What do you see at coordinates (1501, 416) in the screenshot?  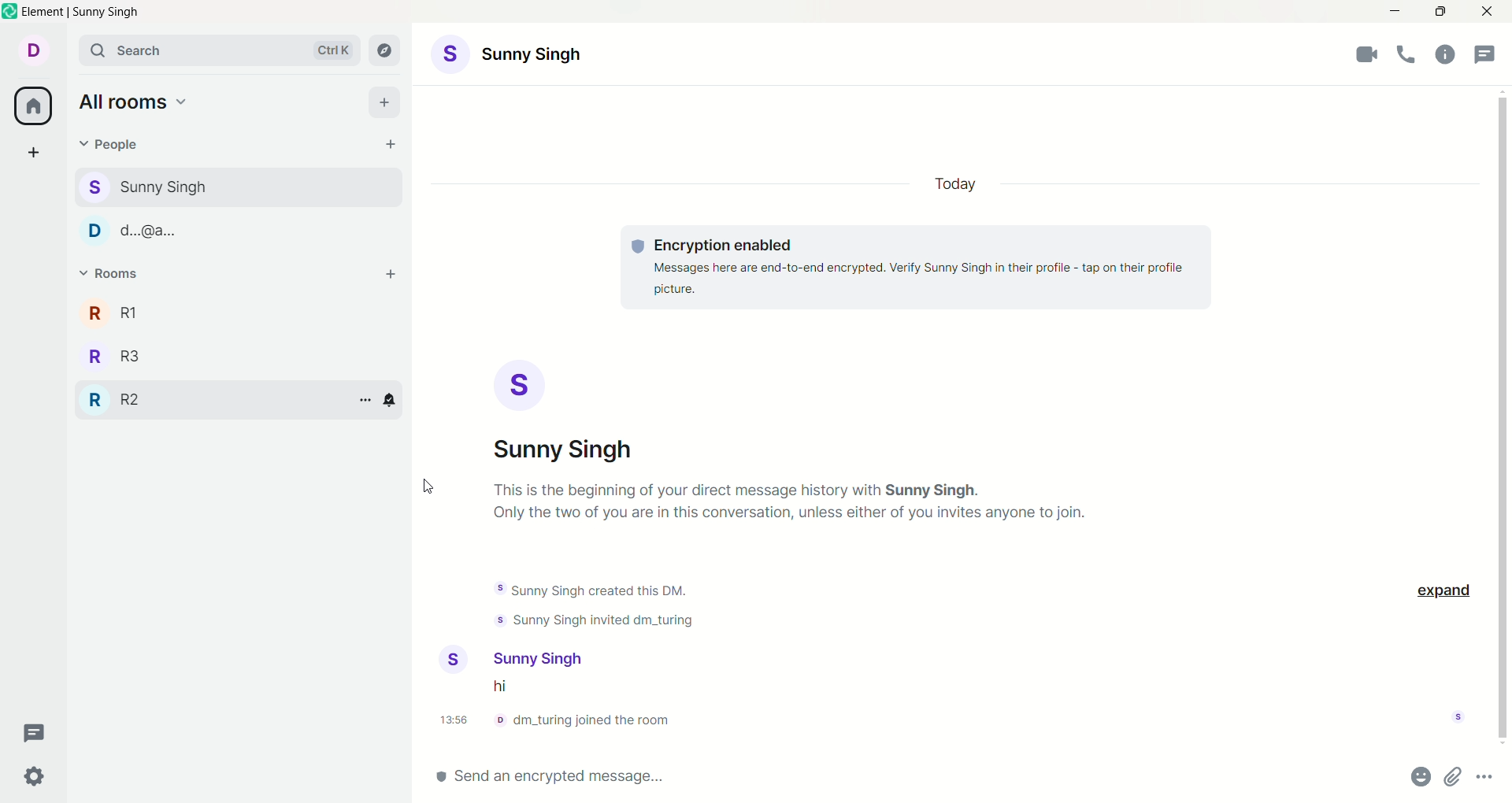 I see `CURSOR` at bounding box center [1501, 416].